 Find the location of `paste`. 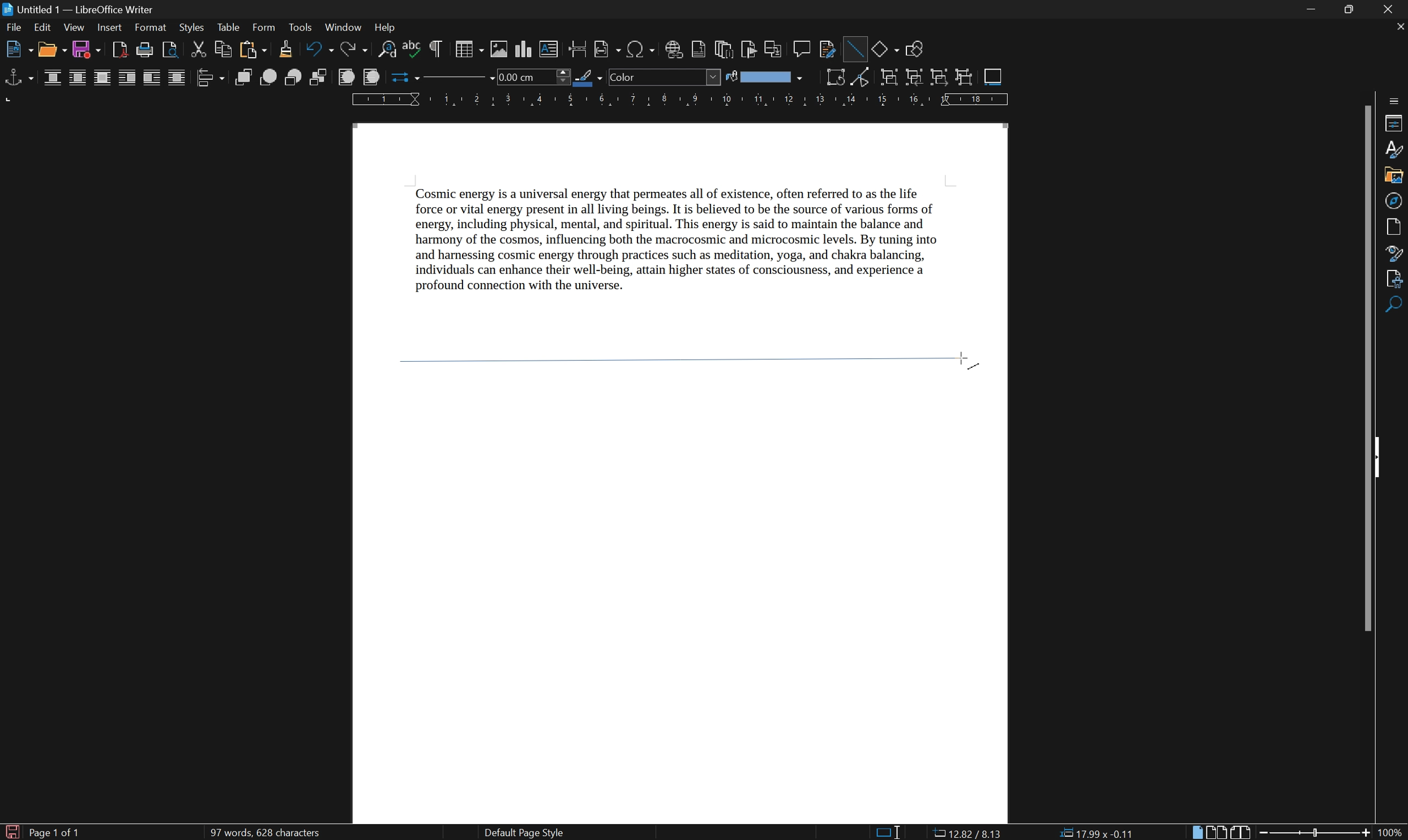

paste is located at coordinates (251, 50).